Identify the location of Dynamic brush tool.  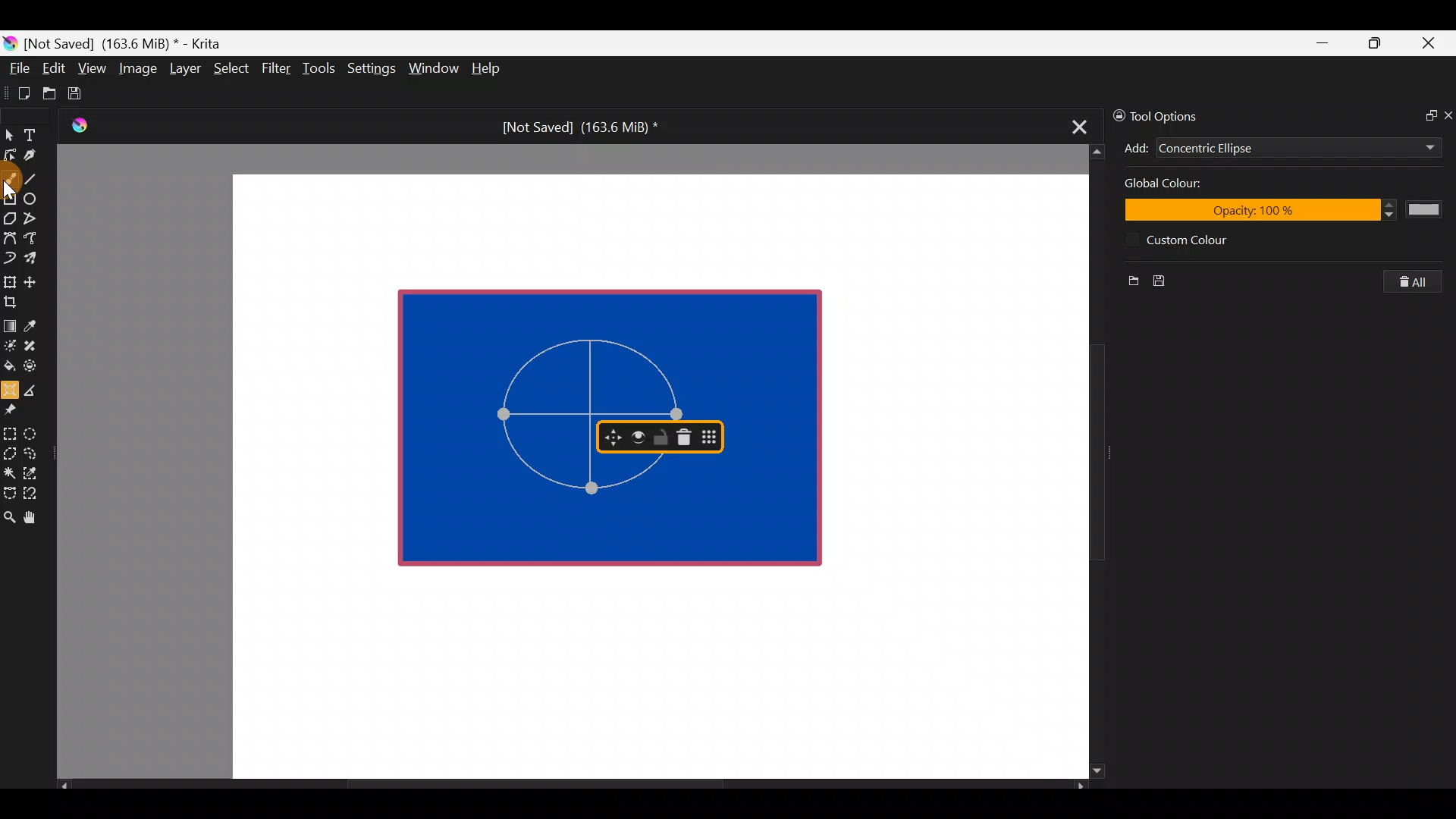
(11, 258).